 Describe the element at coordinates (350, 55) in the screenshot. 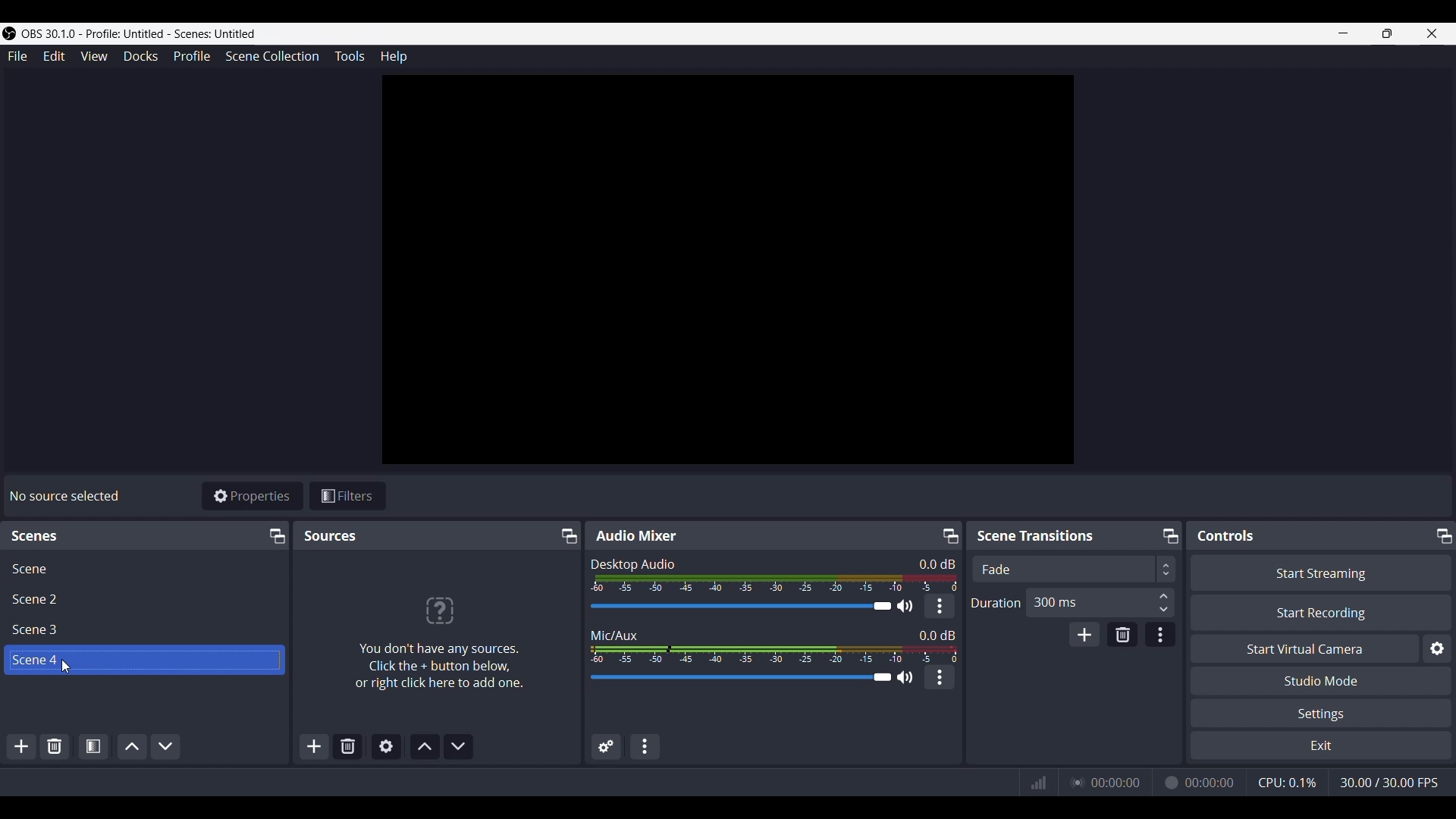

I see `Tools` at that location.